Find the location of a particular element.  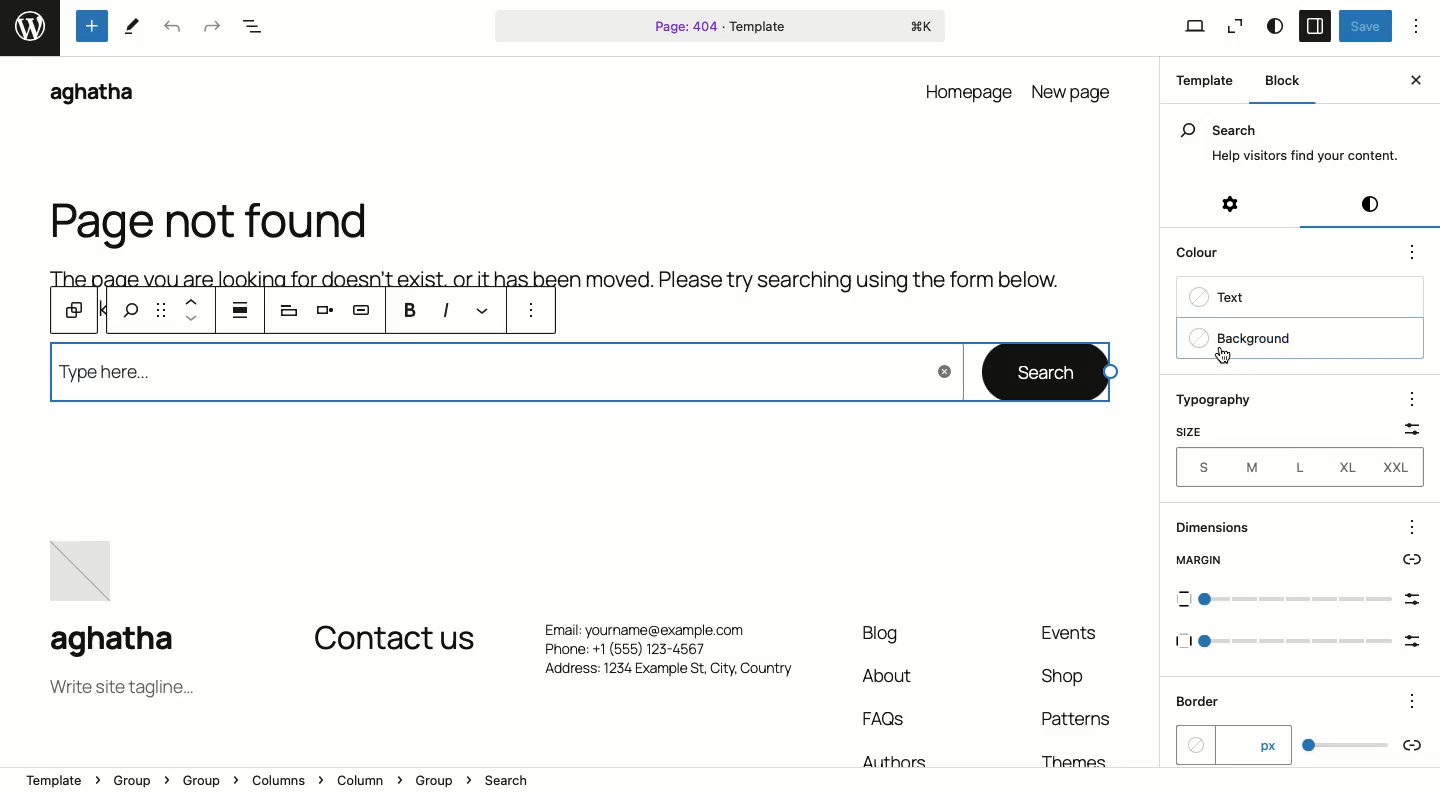

Zoom out is located at coordinates (1237, 25).